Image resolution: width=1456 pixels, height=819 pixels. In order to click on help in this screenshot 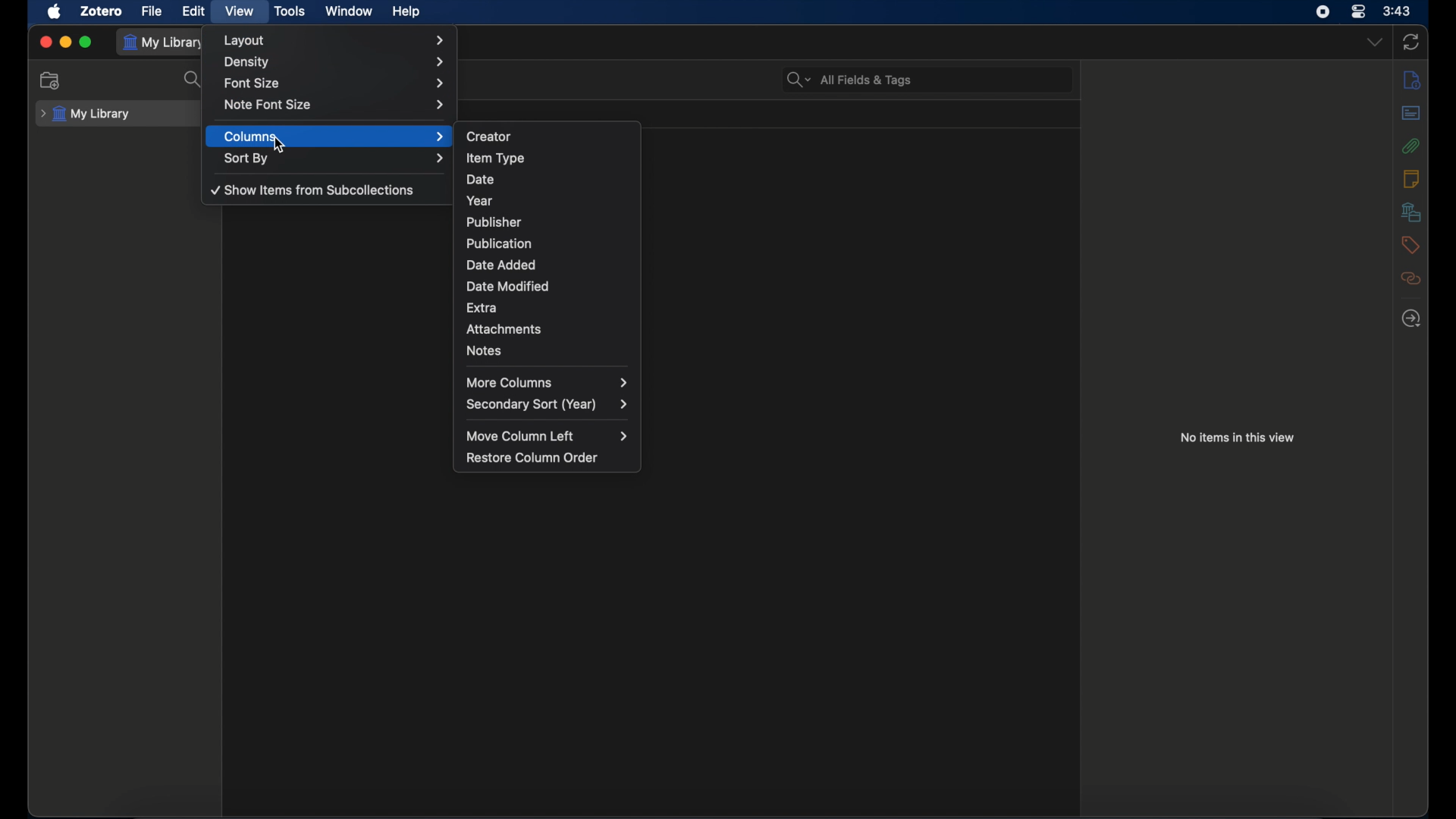, I will do `click(406, 11)`.